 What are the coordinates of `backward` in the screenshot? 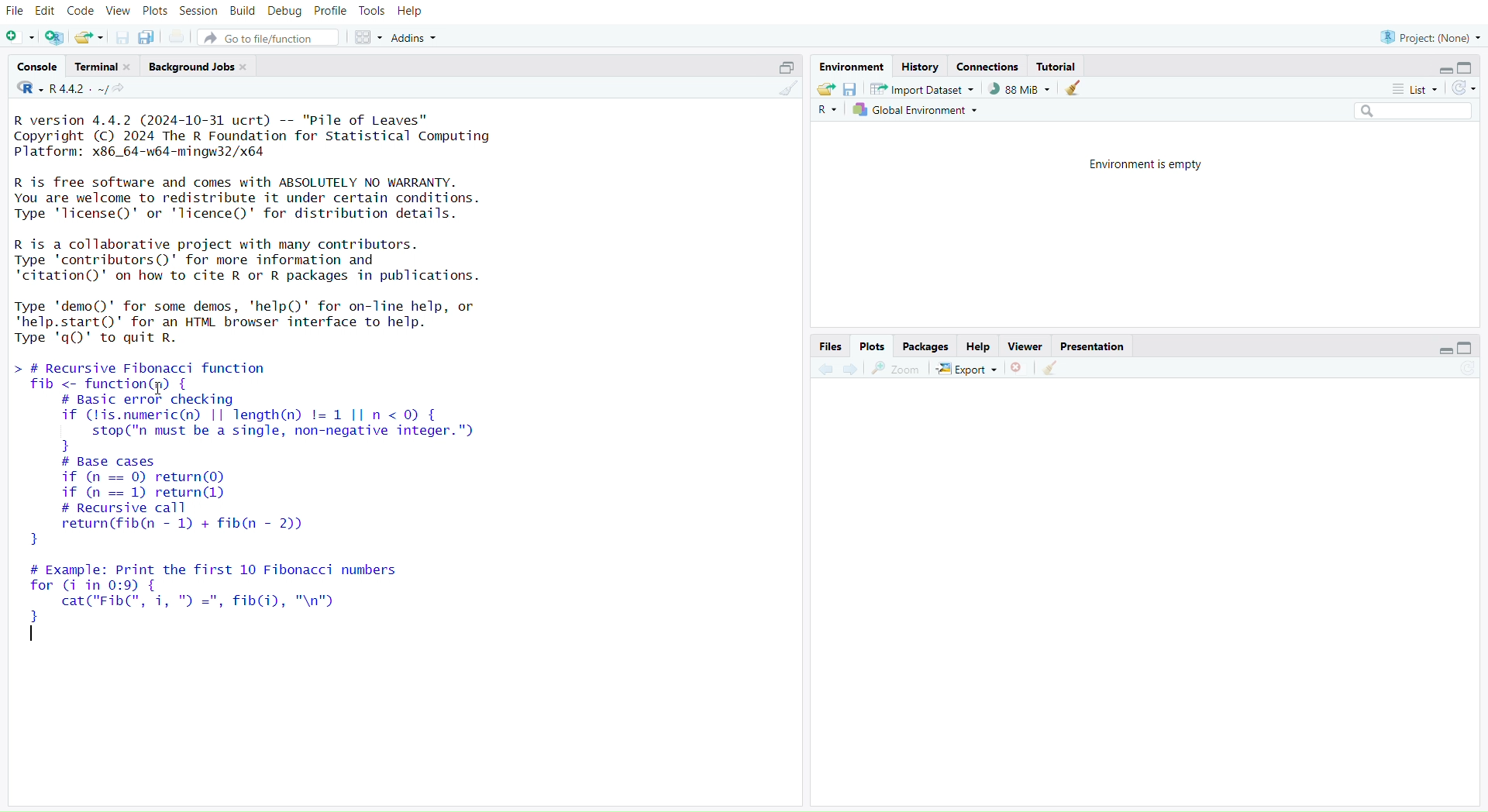 It's located at (825, 370).